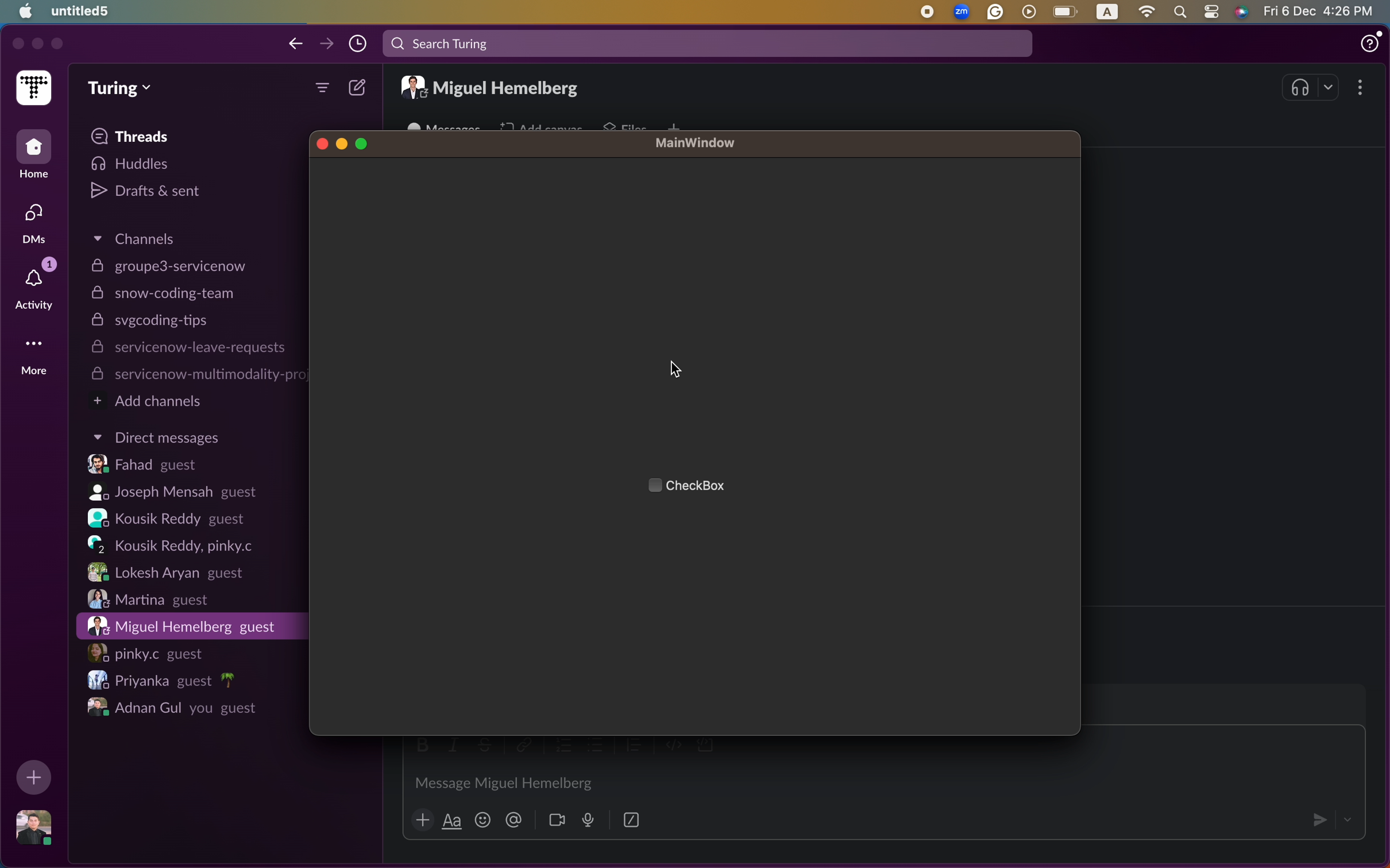  I want to click on data and time, so click(1322, 11).